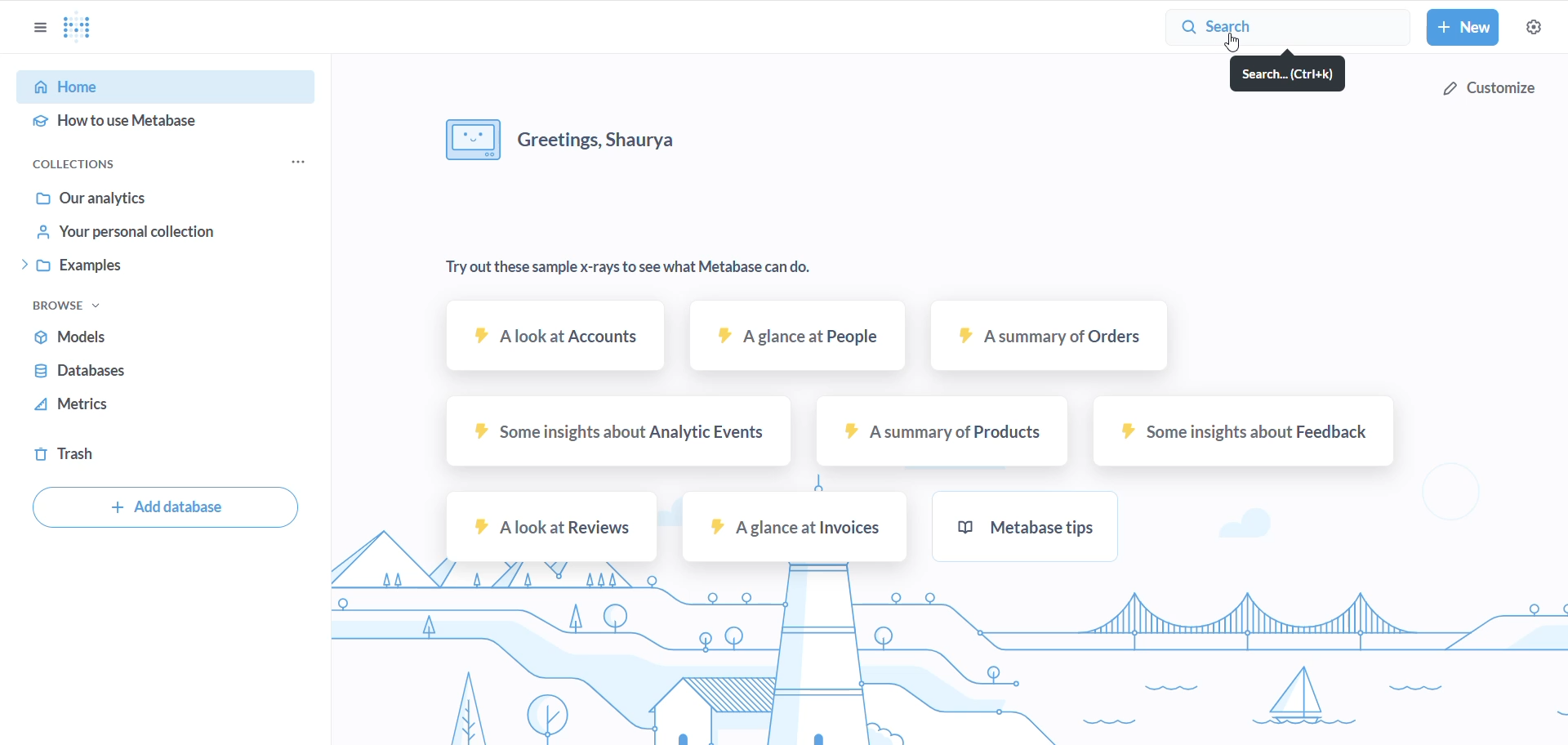  Describe the element at coordinates (85, 165) in the screenshot. I see `COLLECTION OPTIONS` at that location.